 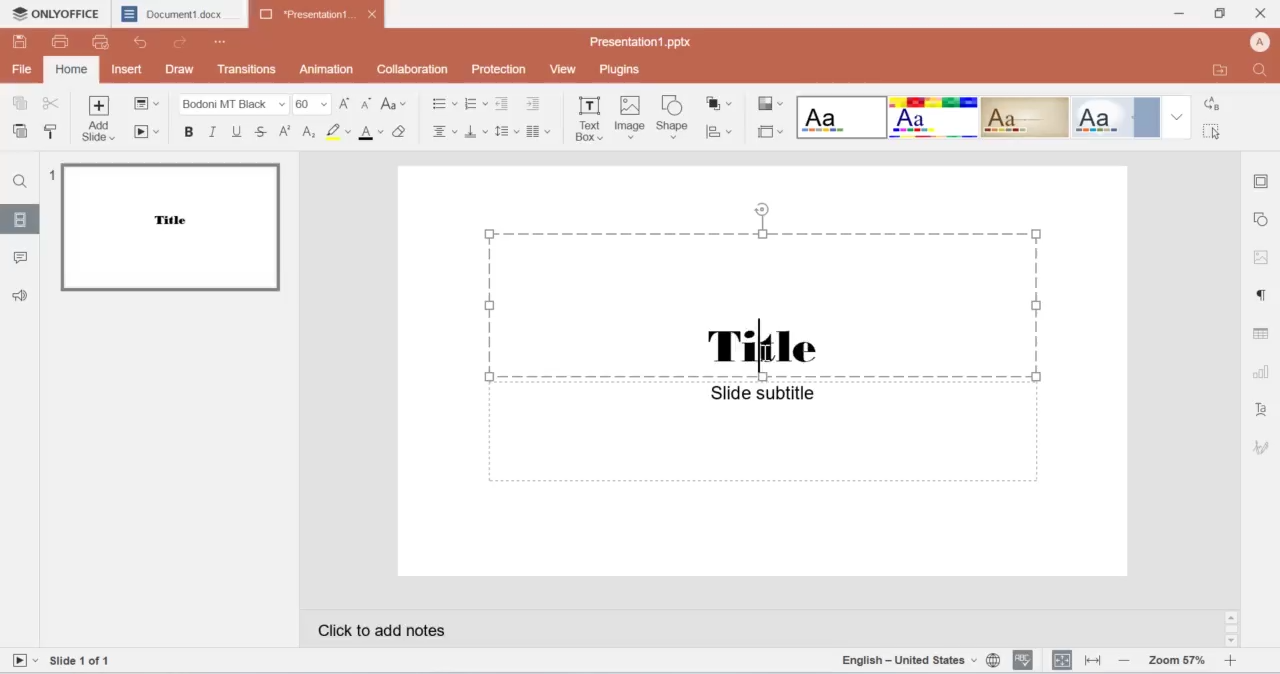 What do you see at coordinates (500, 69) in the screenshot?
I see `Protection` at bounding box center [500, 69].